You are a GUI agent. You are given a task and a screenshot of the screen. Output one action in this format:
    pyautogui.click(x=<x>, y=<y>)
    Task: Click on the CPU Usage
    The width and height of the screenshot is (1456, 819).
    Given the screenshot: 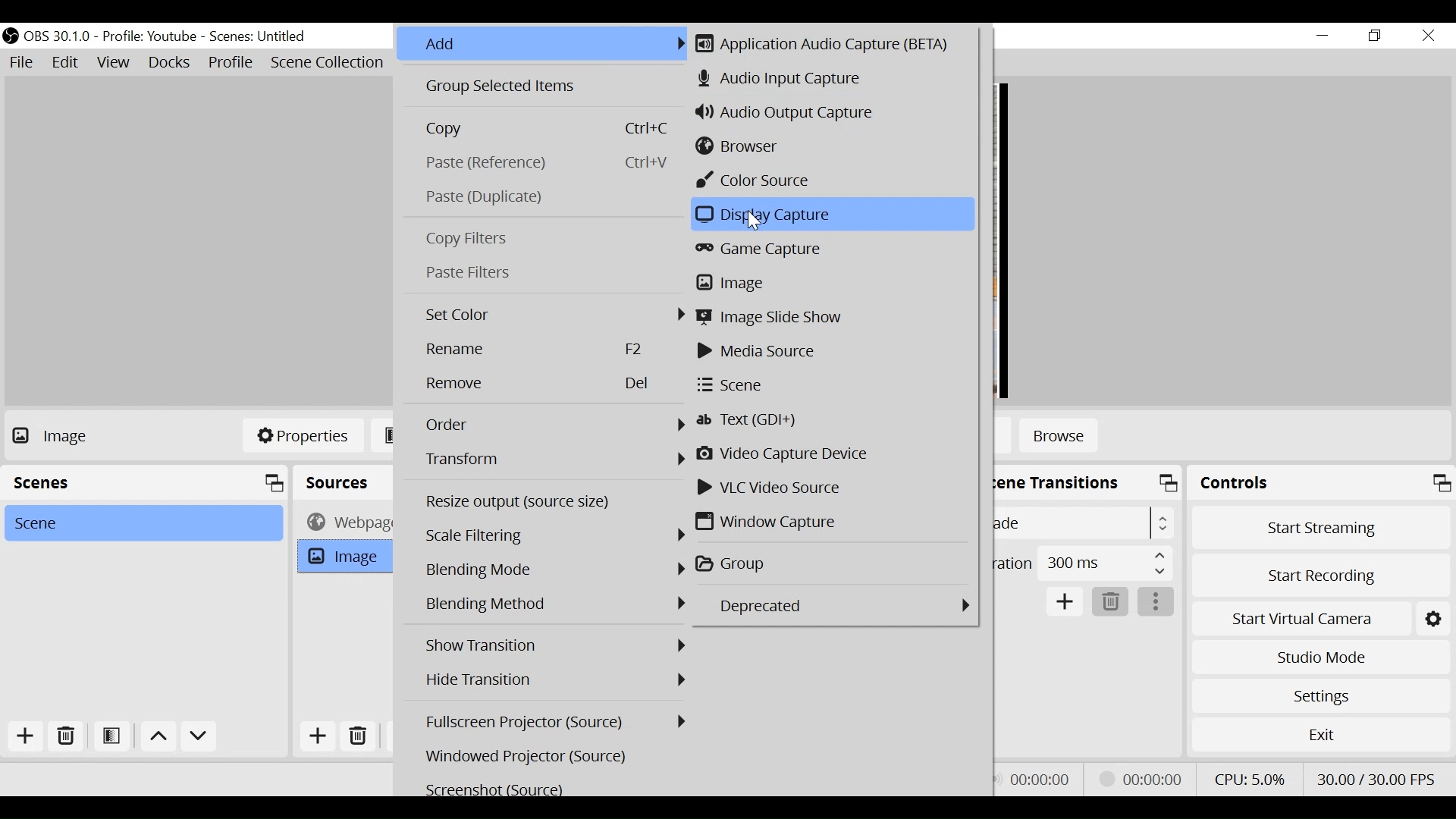 What is the action you would take?
    pyautogui.click(x=1250, y=779)
    